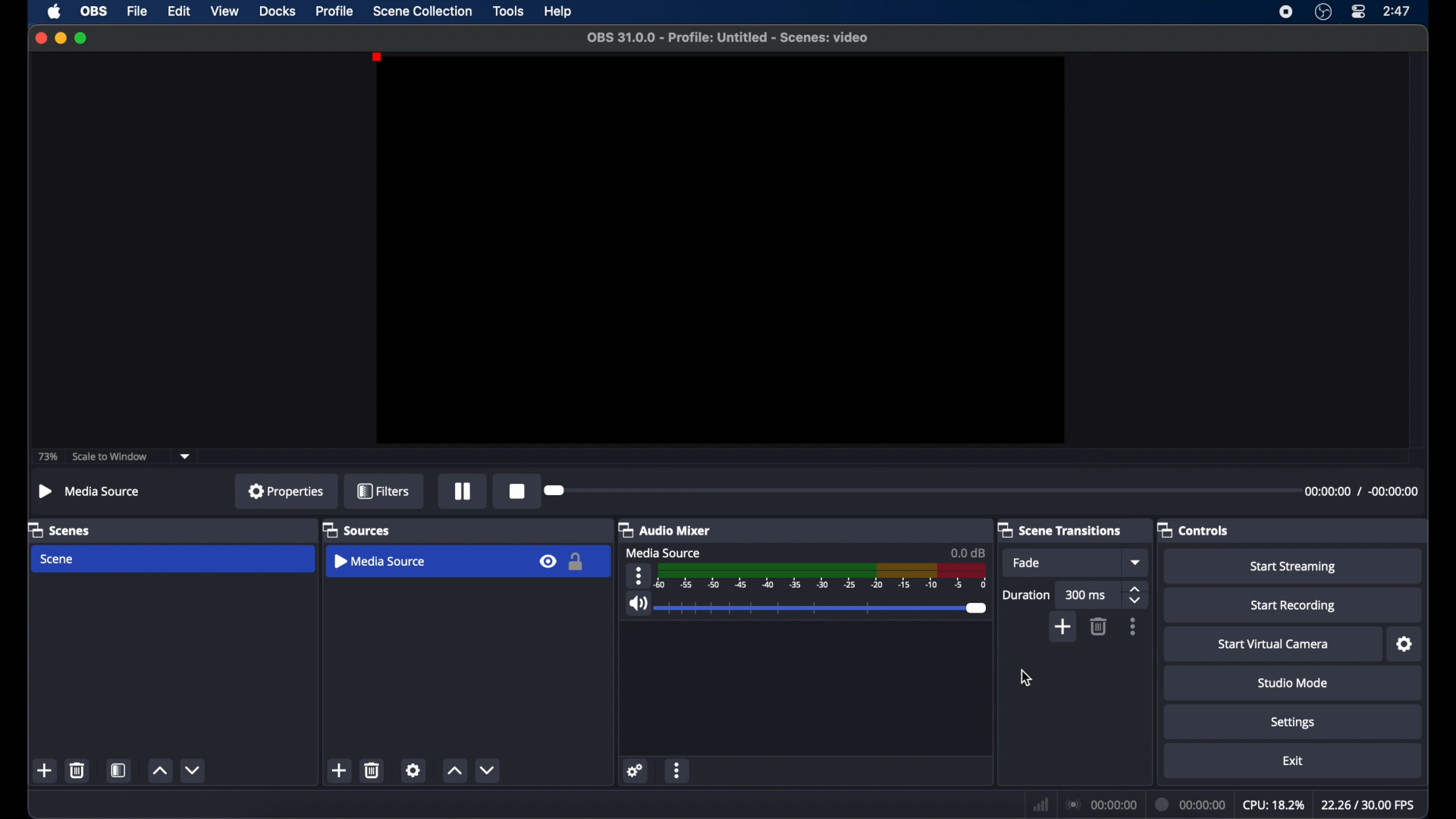 This screenshot has height=819, width=1456. What do you see at coordinates (55, 11) in the screenshot?
I see `apple icon` at bounding box center [55, 11].